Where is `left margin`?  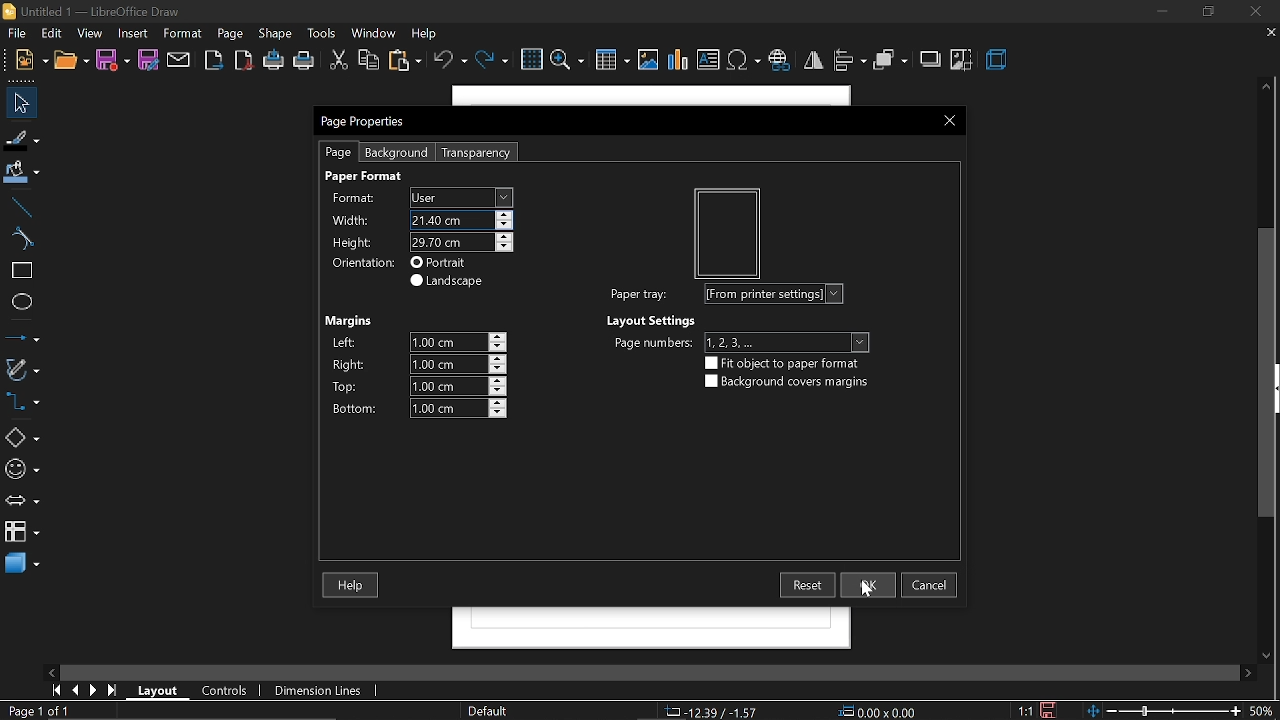
left margin is located at coordinates (346, 340).